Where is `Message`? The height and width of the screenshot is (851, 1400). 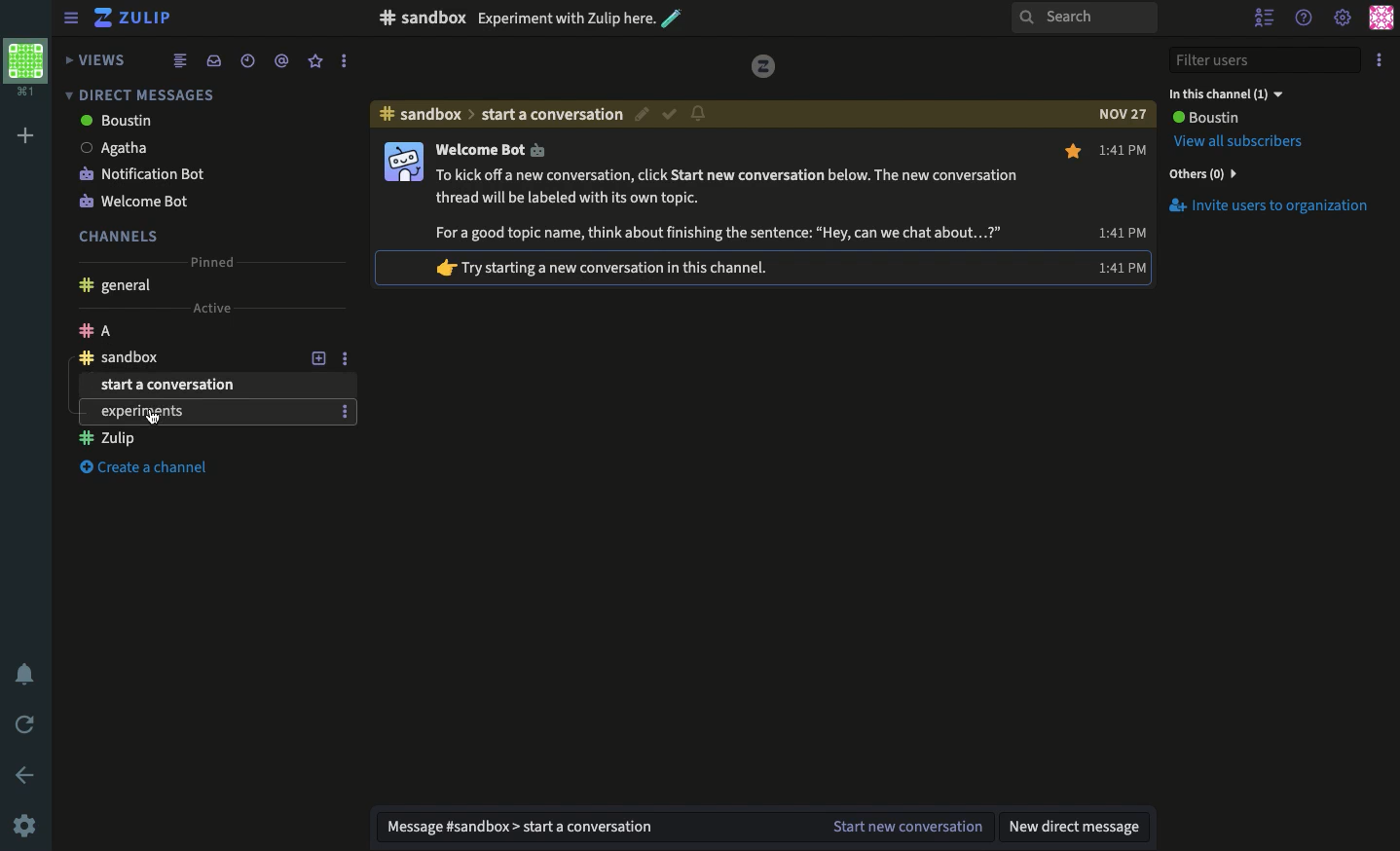
Message is located at coordinates (588, 828).